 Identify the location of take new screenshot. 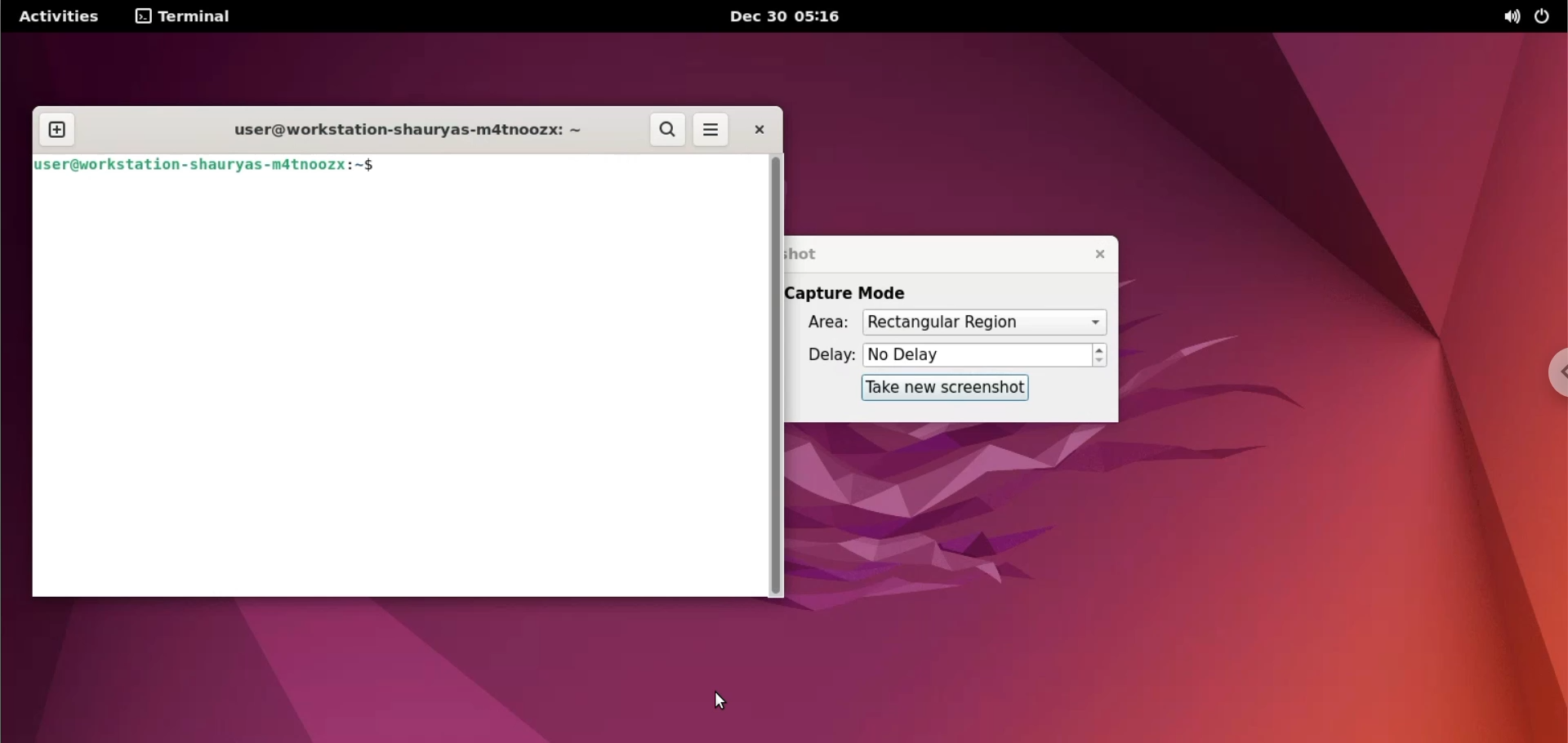
(945, 389).